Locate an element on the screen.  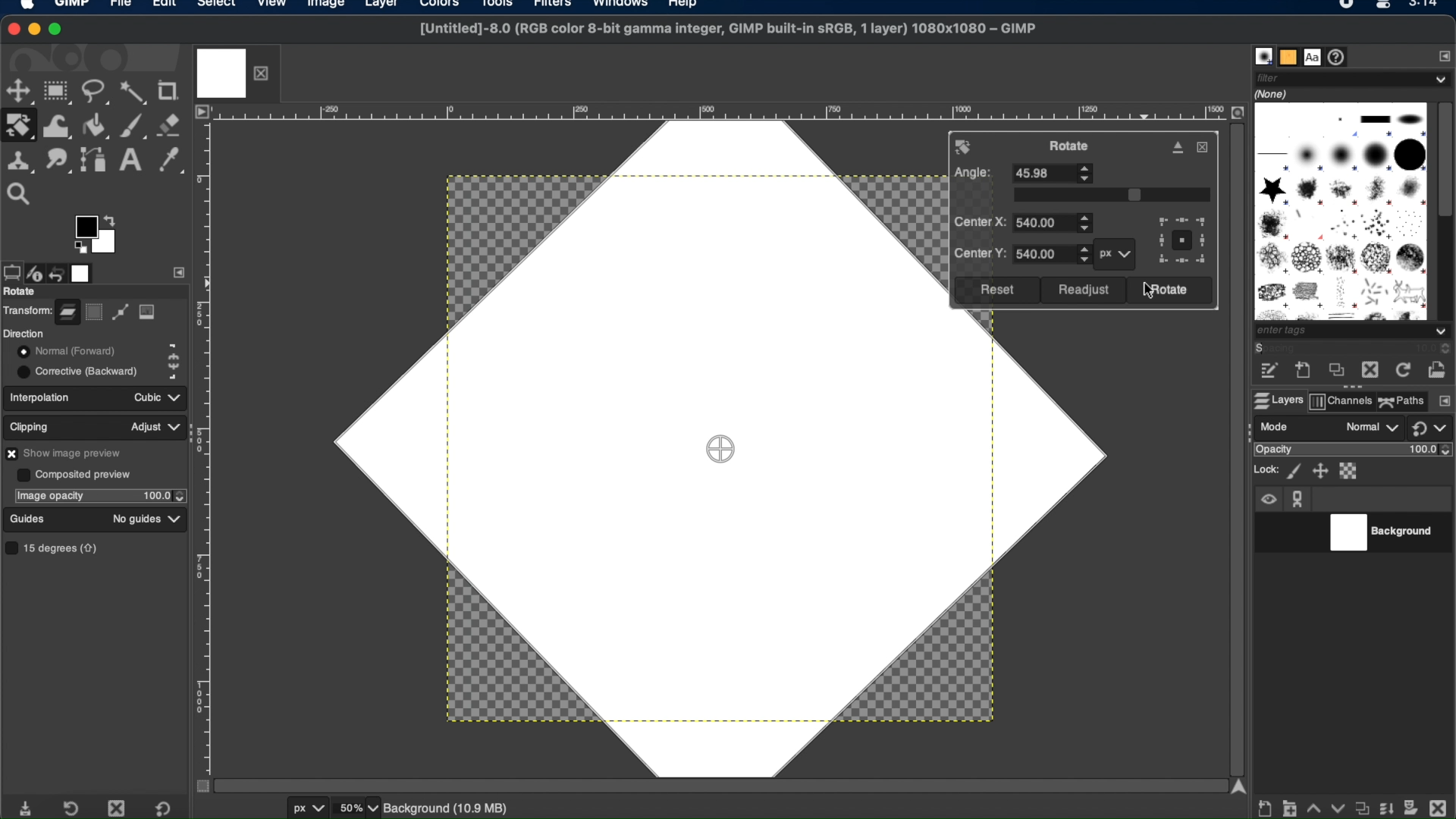
channels is located at coordinates (1341, 403).